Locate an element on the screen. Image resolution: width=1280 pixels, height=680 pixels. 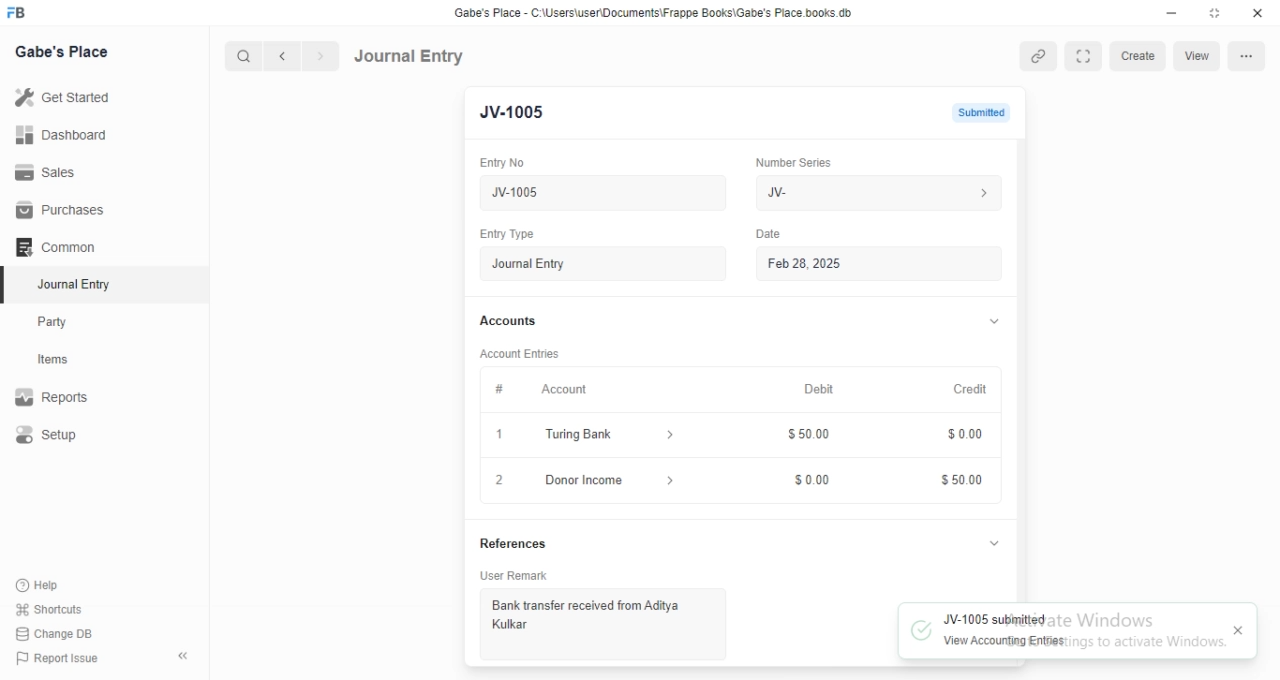
Debit is located at coordinates (818, 390).